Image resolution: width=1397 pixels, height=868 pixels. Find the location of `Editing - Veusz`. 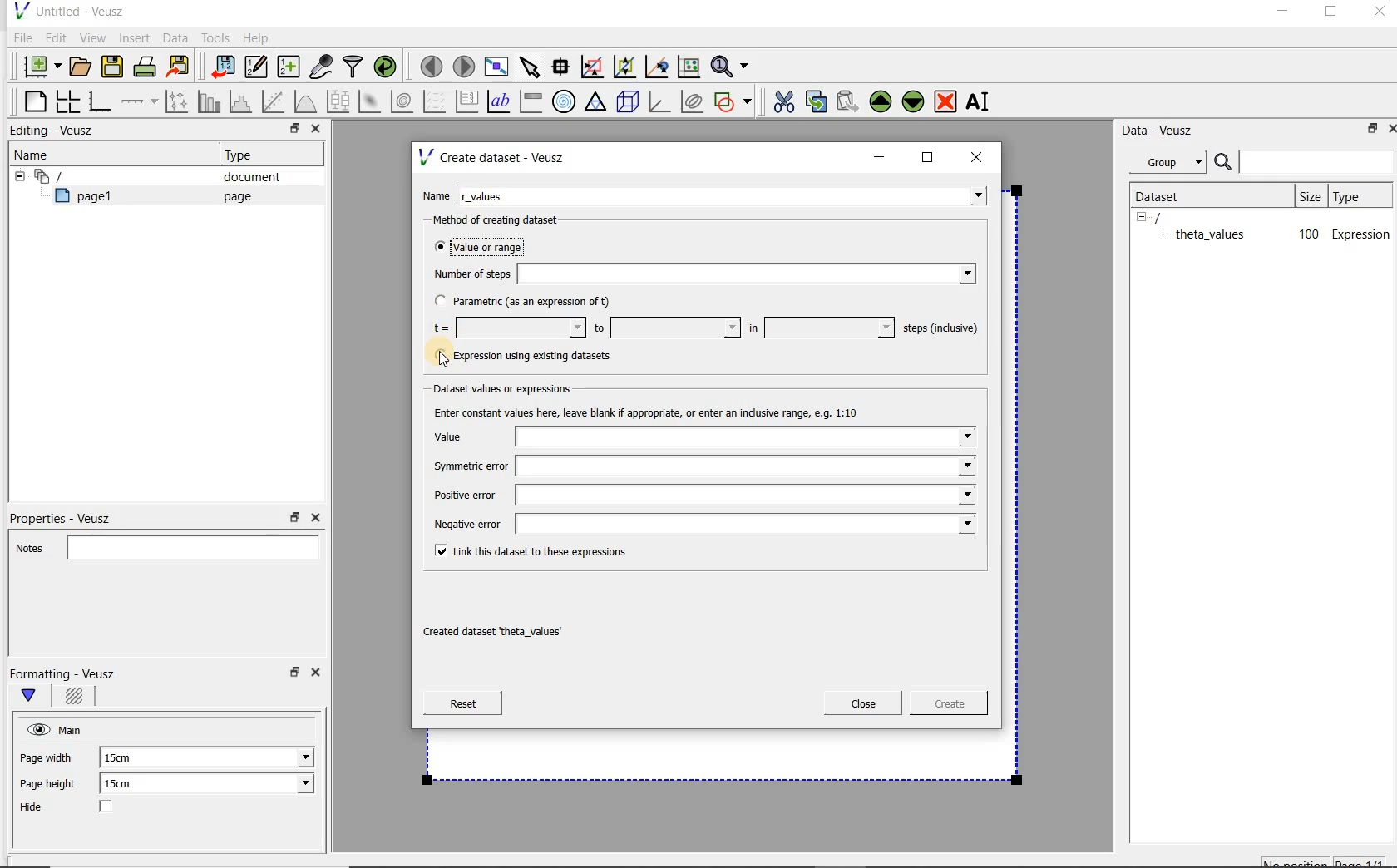

Editing - Veusz is located at coordinates (56, 131).